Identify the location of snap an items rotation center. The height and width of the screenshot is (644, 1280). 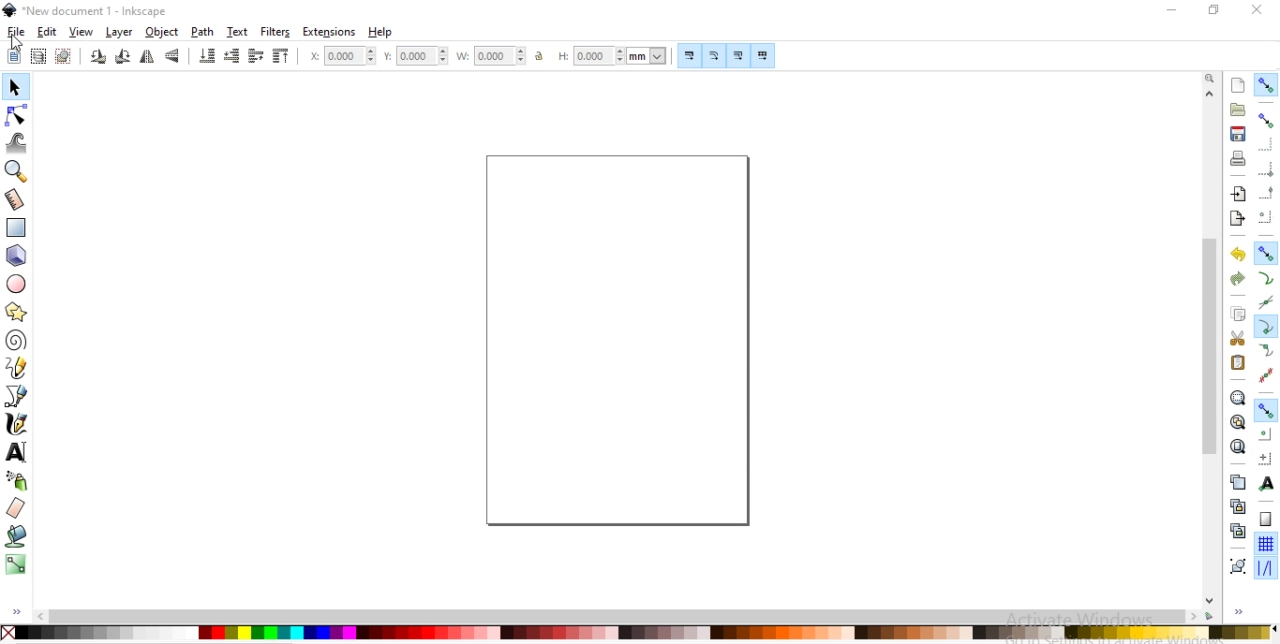
(1266, 458).